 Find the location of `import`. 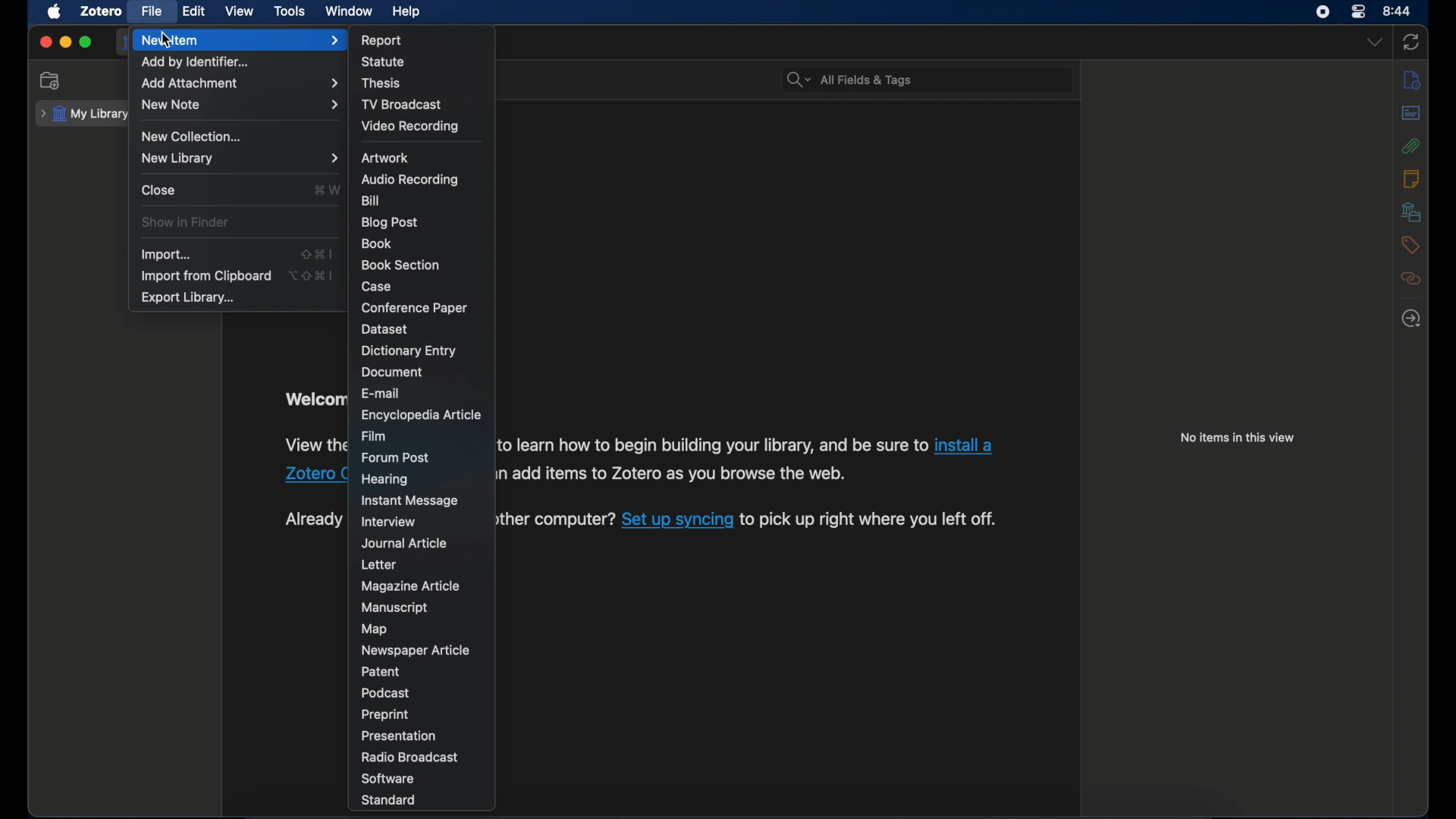

import is located at coordinates (165, 255).